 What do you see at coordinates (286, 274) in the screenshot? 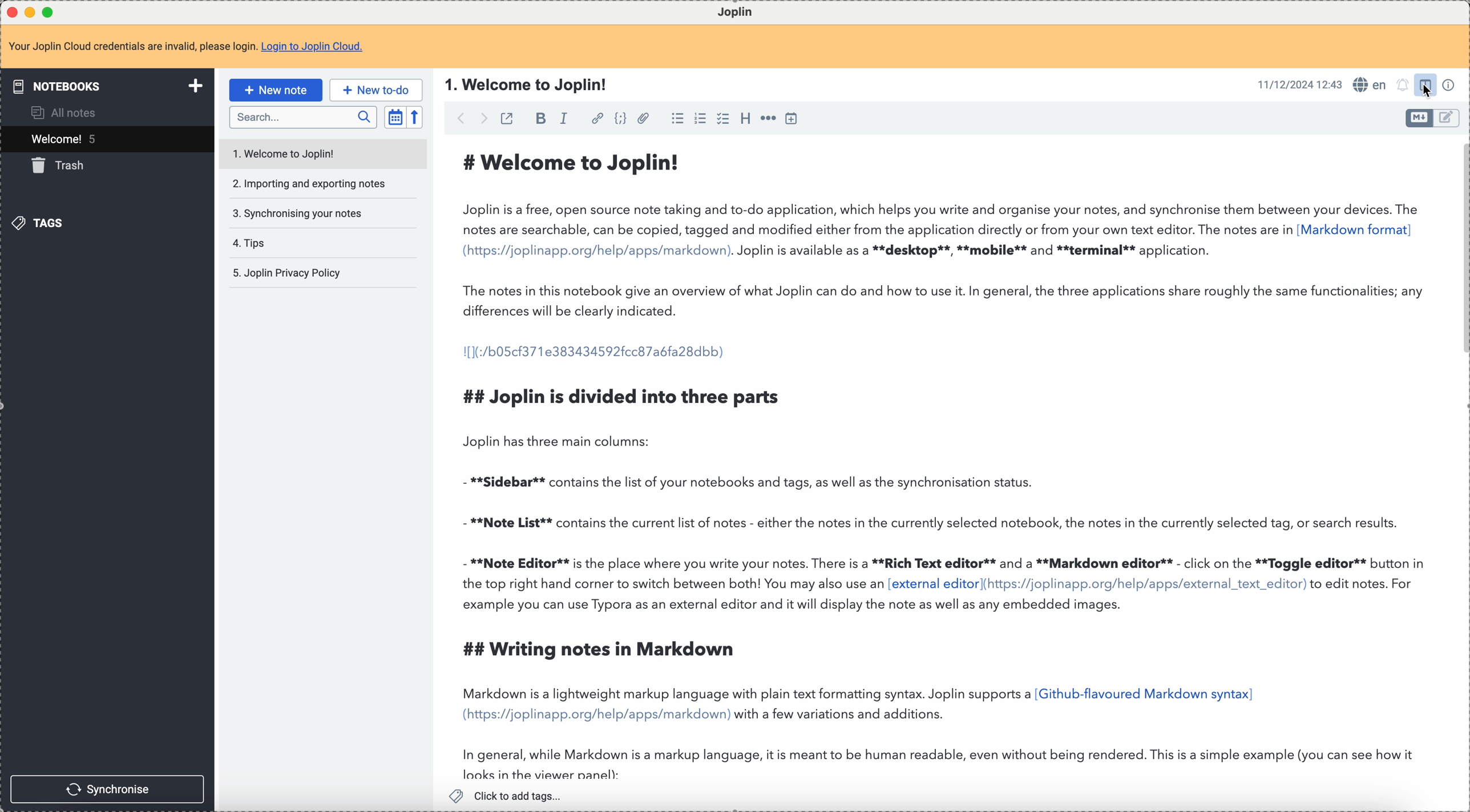
I see `Joplin privacy policy` at bounding box center [286, 274].